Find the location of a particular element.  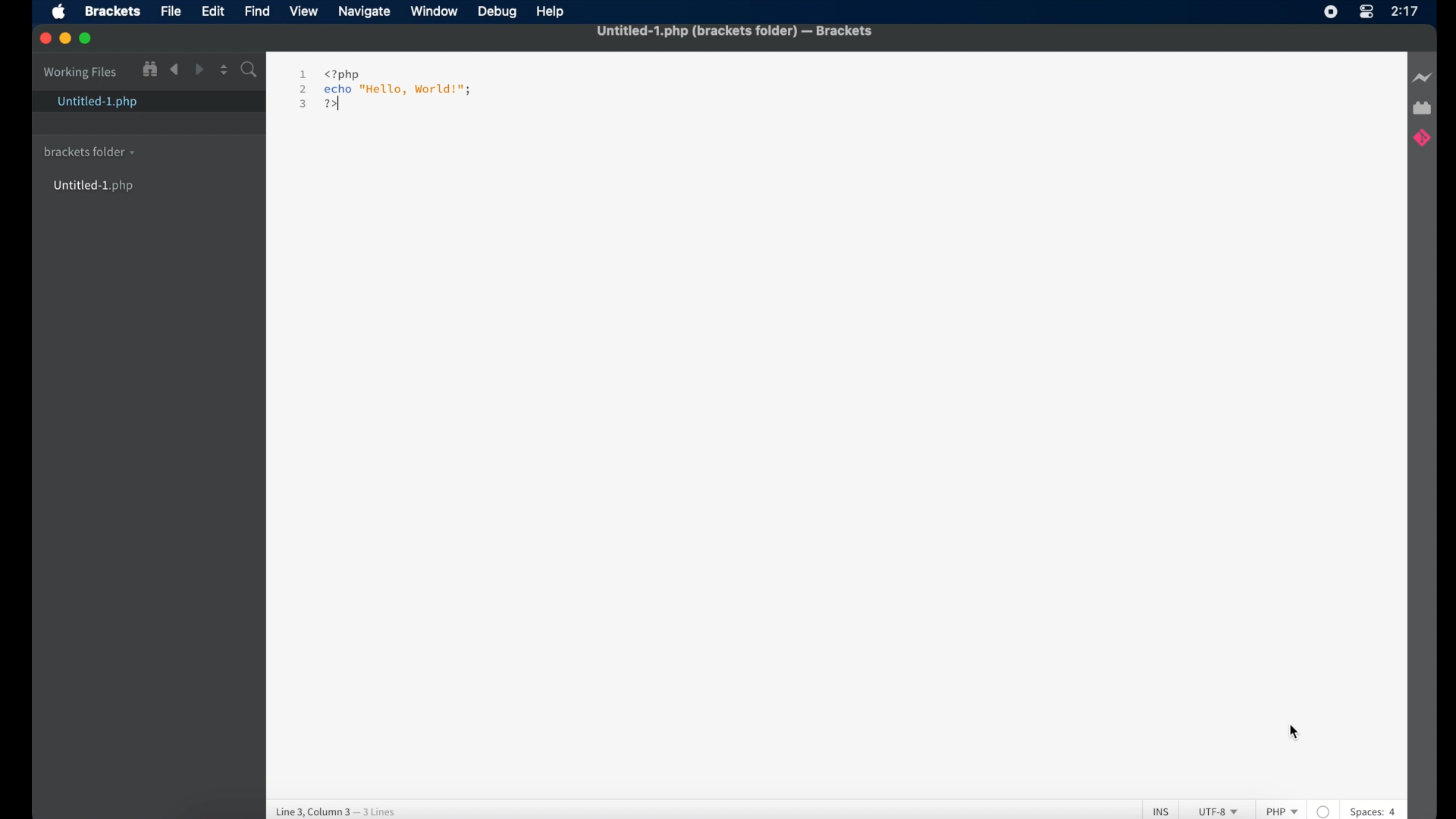

find is located at coordinates (259, 12).